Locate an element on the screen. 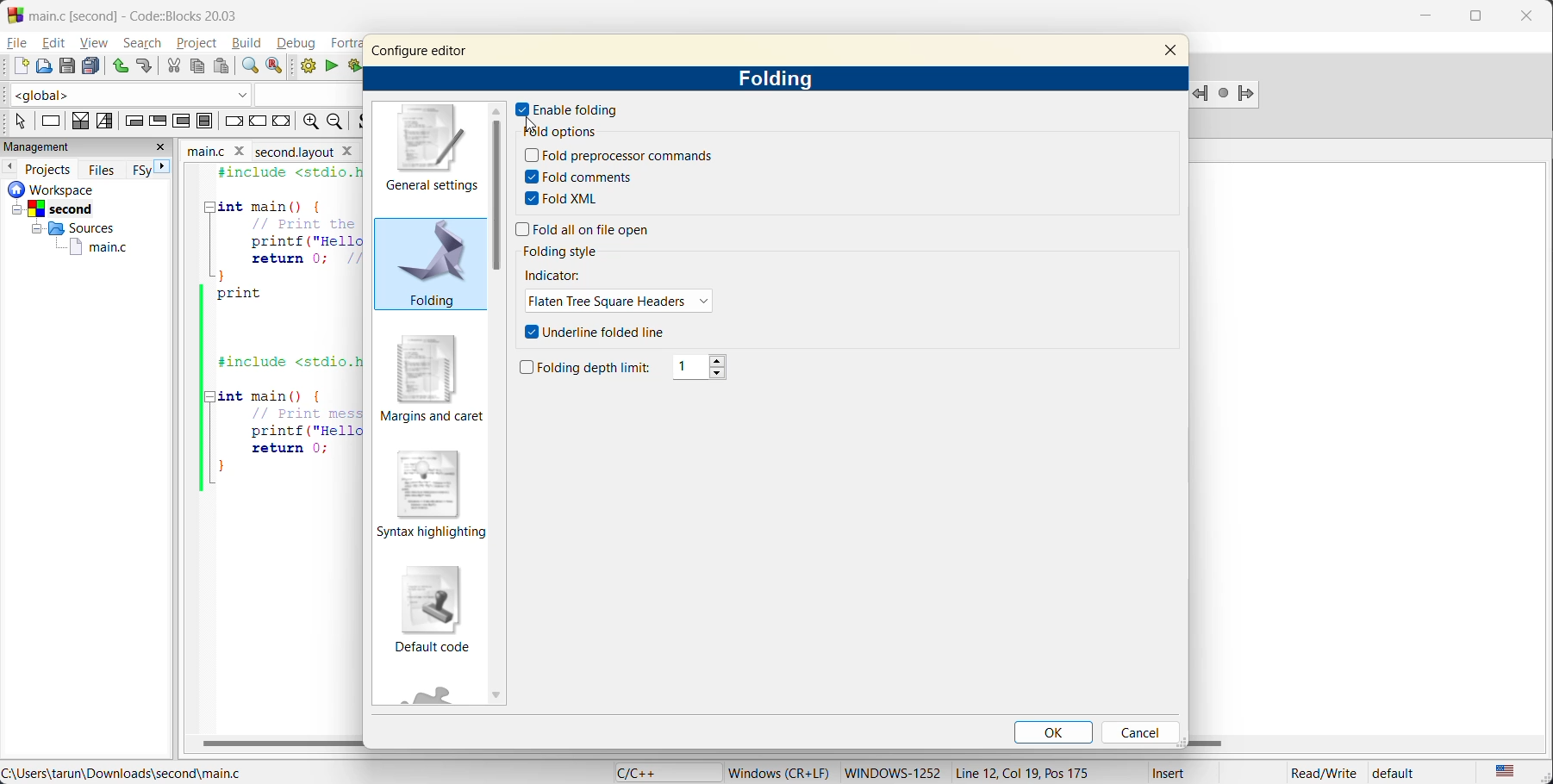 The height and width of the screenshot is (784, 1553). edit is located at coordinates (53, 44).